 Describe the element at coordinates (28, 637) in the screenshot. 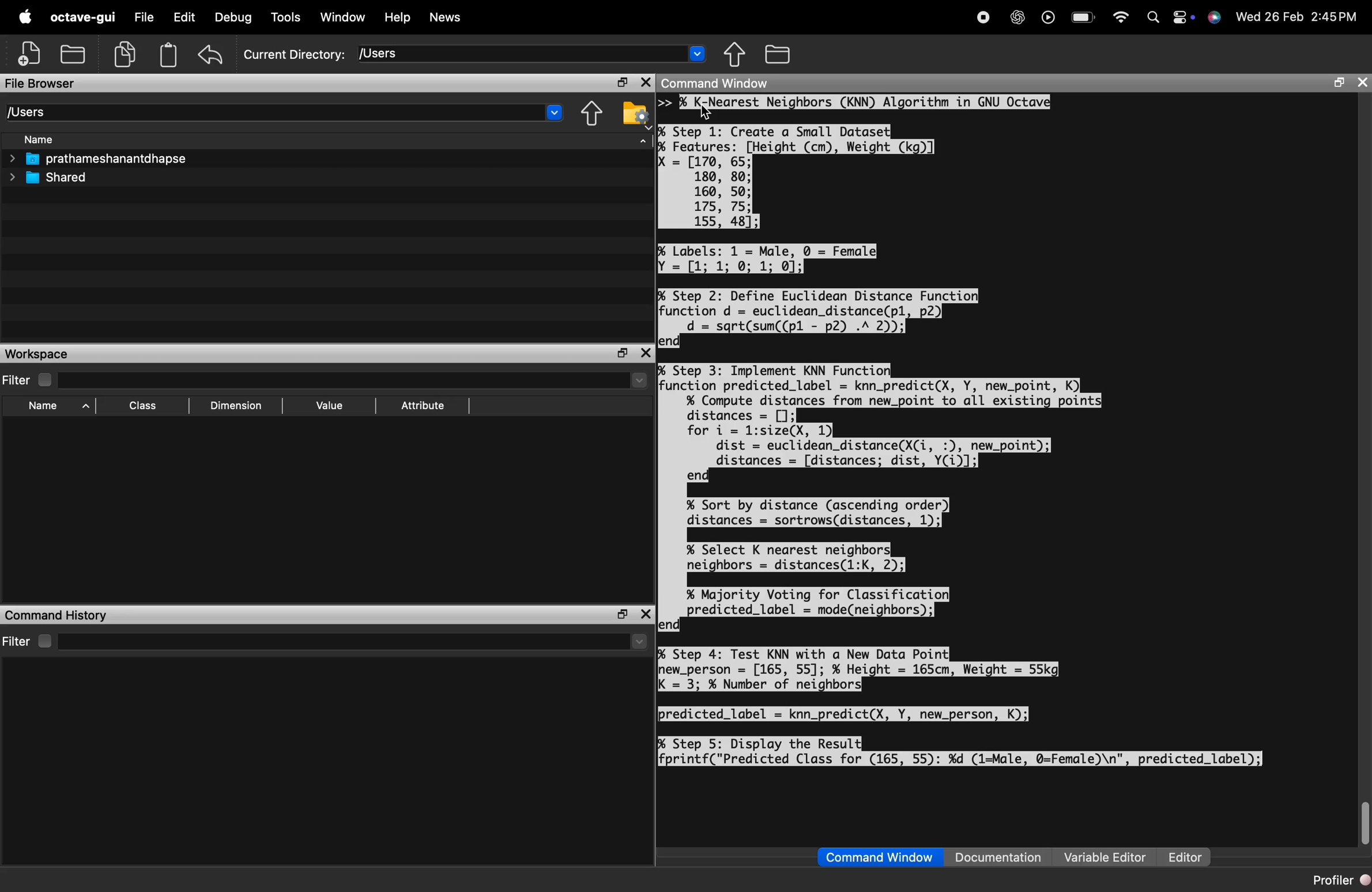

I see `Filter` at that location.